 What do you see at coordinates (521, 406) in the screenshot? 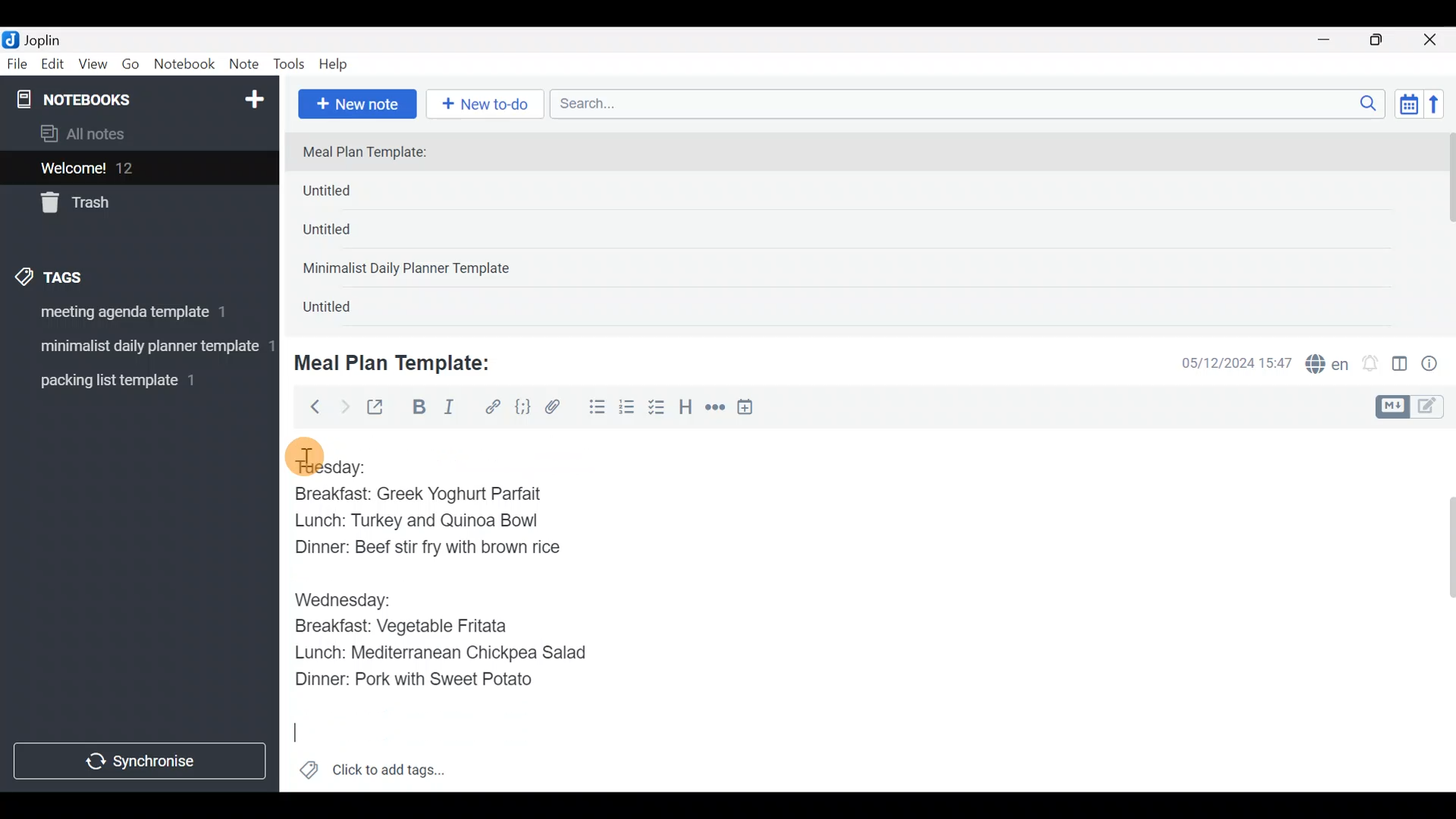
I see `Code` at bounding box center [521, 406].